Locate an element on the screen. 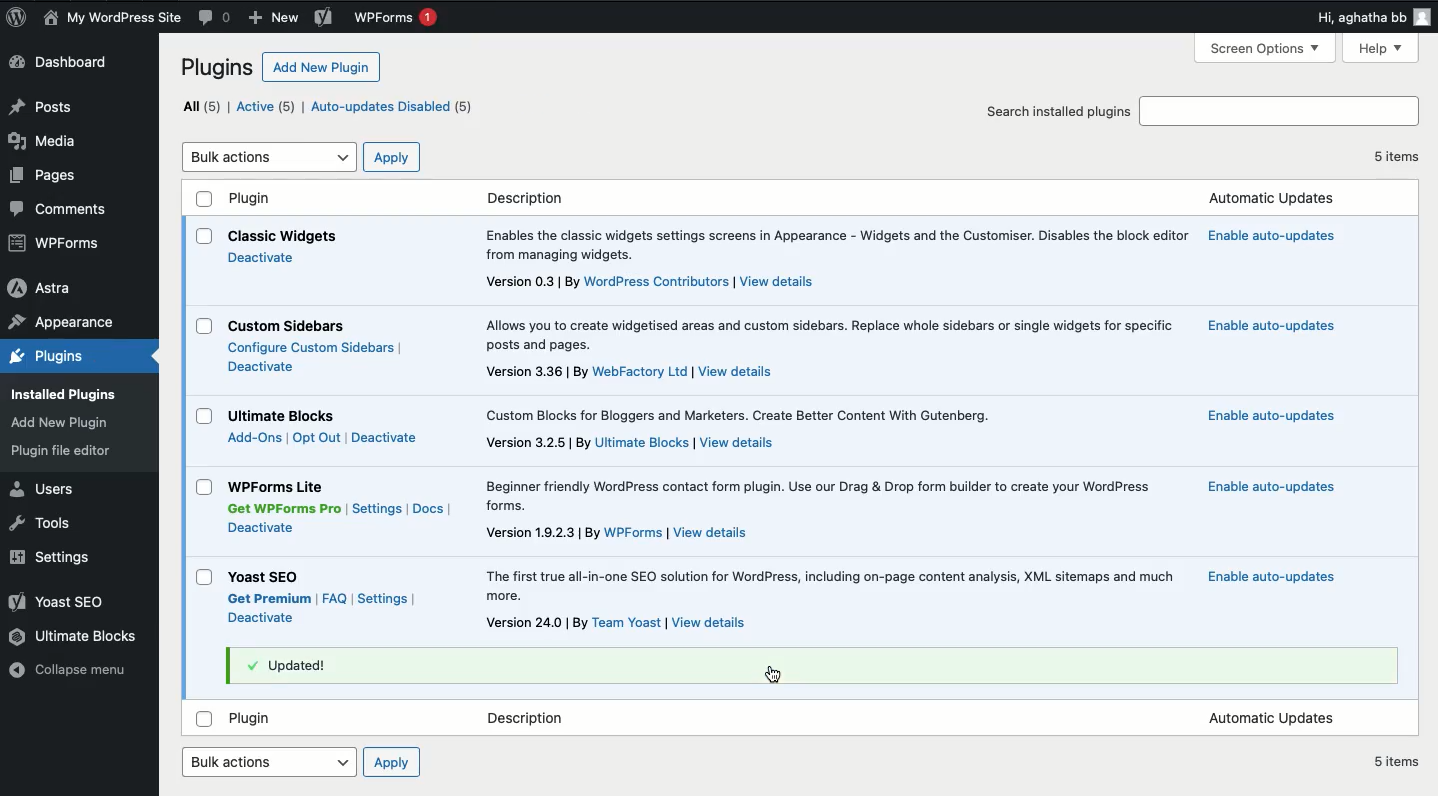 The width and height of the screenshot is (1438, 796). Checkbox is located at coordinates (205, 326).